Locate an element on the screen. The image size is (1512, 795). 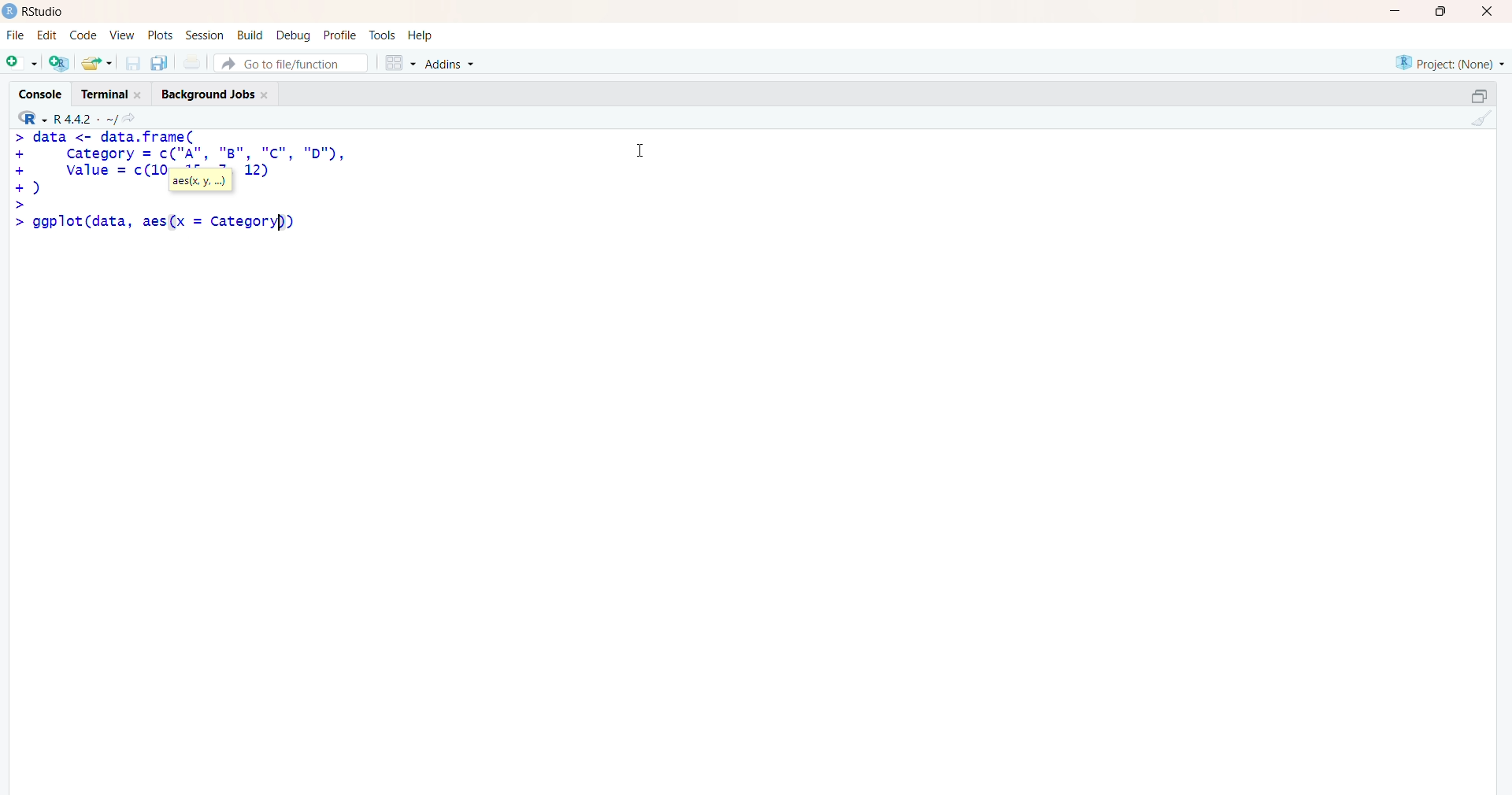
View is located at coordinates (123, 35).